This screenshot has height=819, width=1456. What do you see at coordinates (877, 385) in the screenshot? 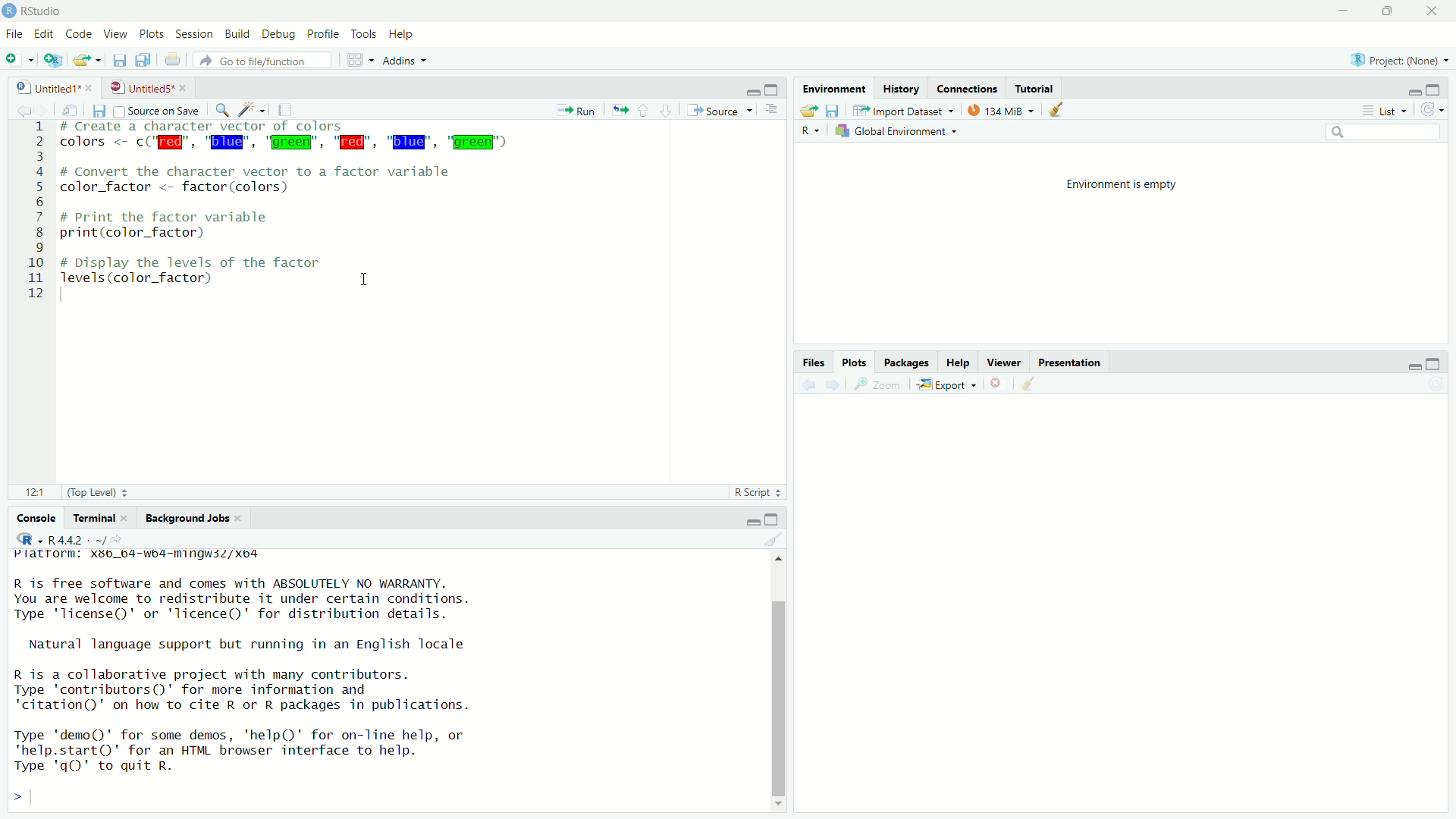
I see `view a larger version of the plot in new window` at bounding box center [877, 385].